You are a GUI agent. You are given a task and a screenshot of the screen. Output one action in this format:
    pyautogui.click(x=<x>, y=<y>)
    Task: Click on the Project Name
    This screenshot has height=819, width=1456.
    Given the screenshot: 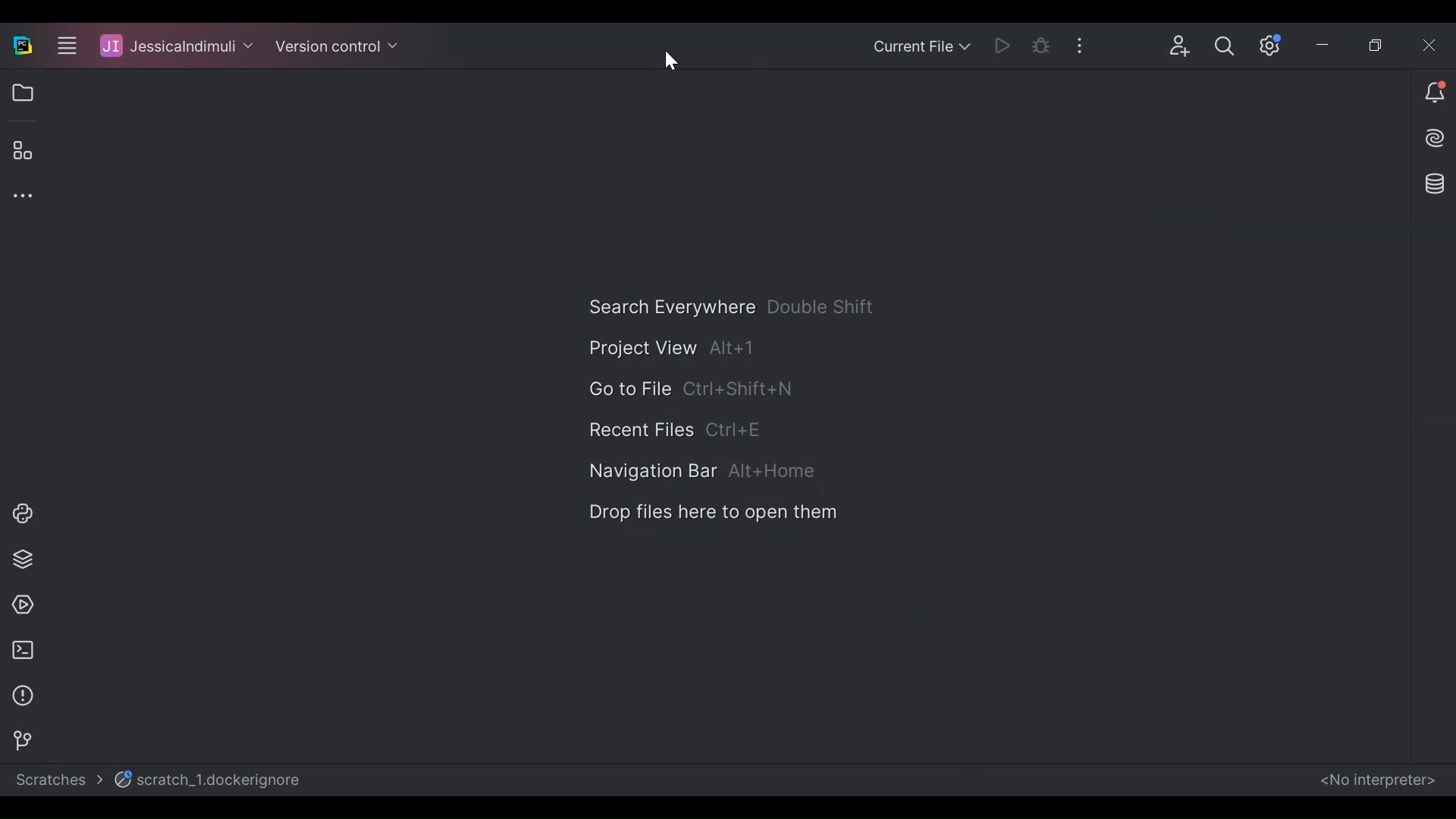 What is the action you would take?
    pyautogui.click(x=174, y=47)
    